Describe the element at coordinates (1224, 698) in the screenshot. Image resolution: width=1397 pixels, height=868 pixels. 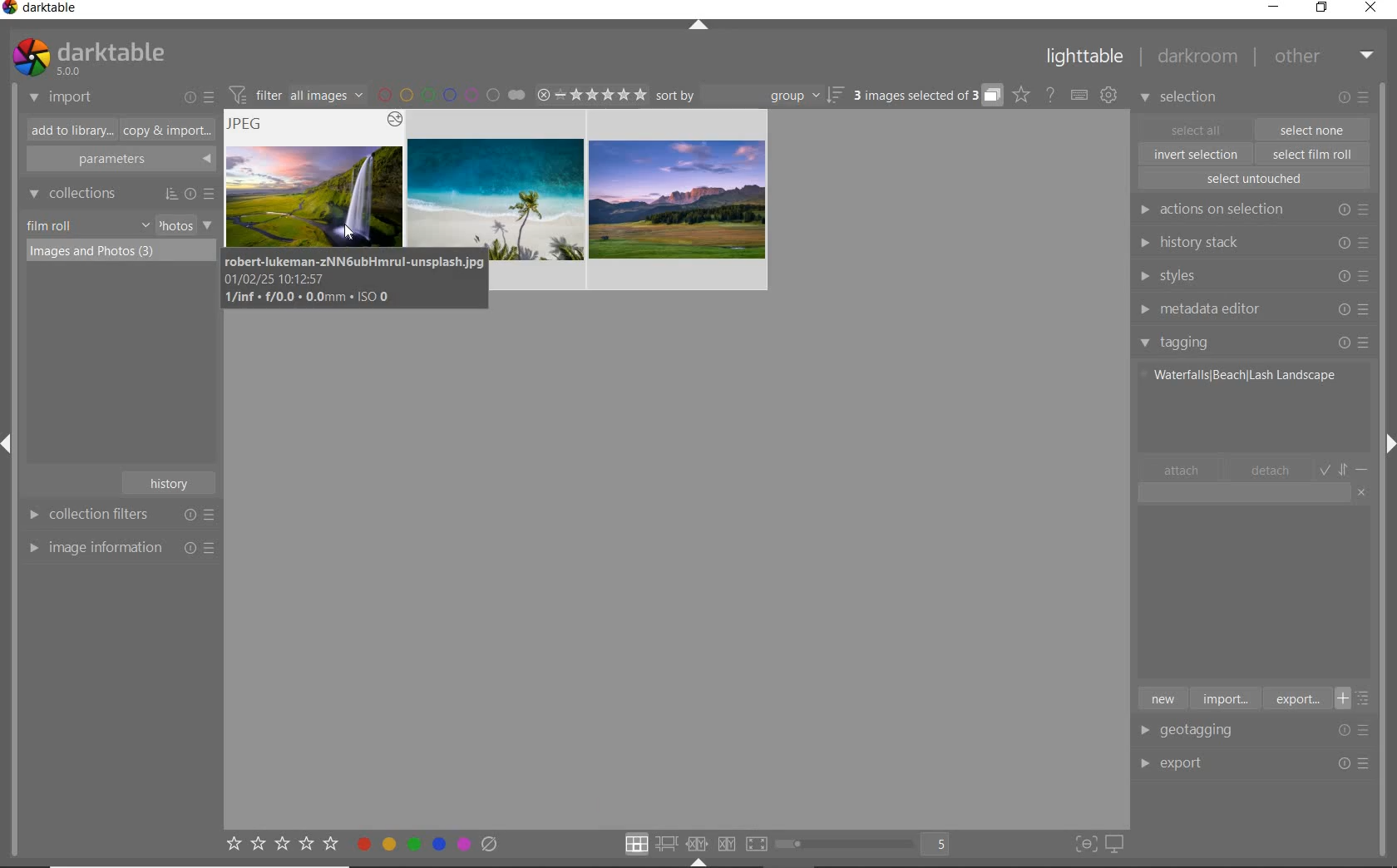
I see `import` at that location.